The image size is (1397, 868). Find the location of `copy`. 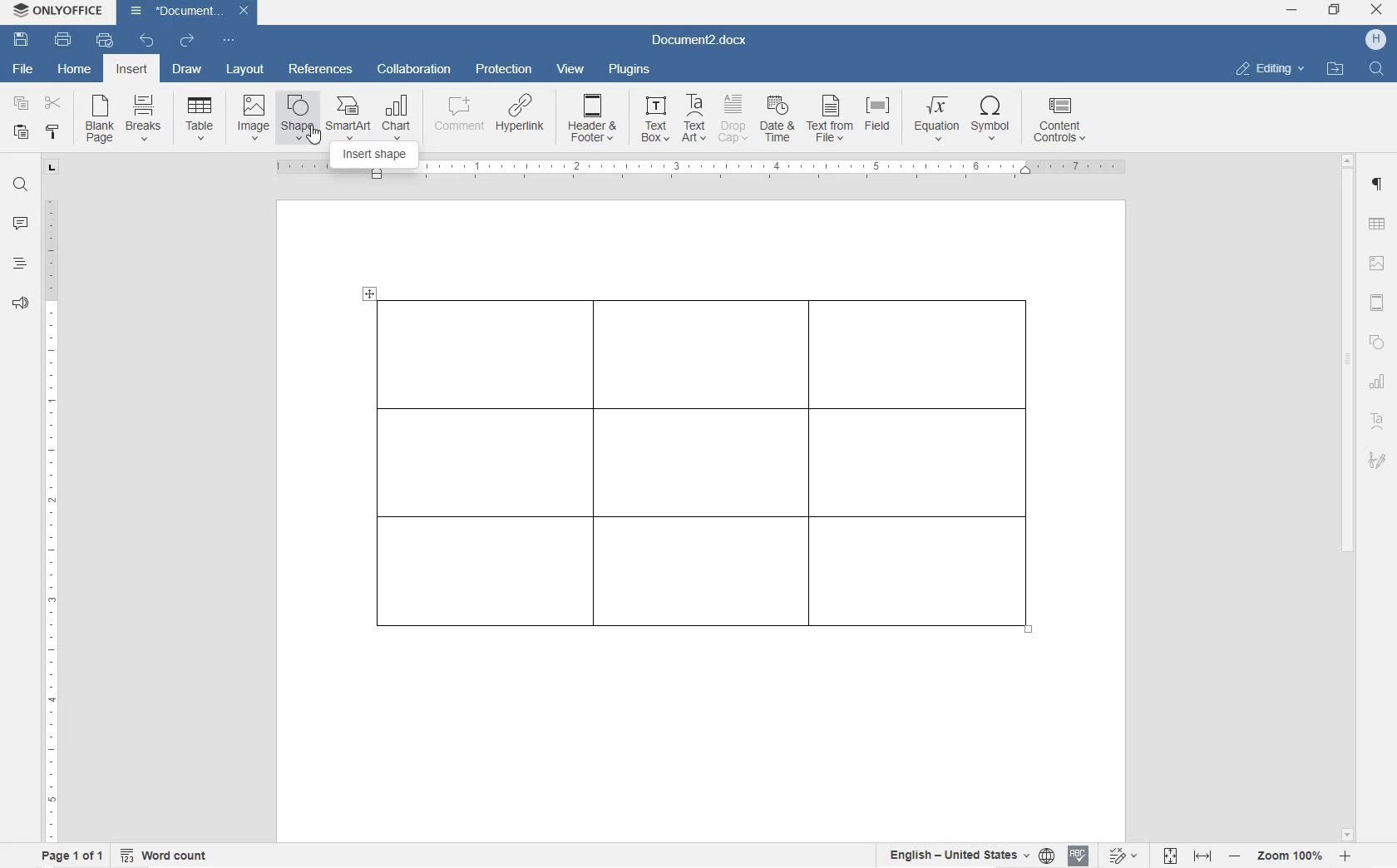

copy is located at coordinates (22, 106).